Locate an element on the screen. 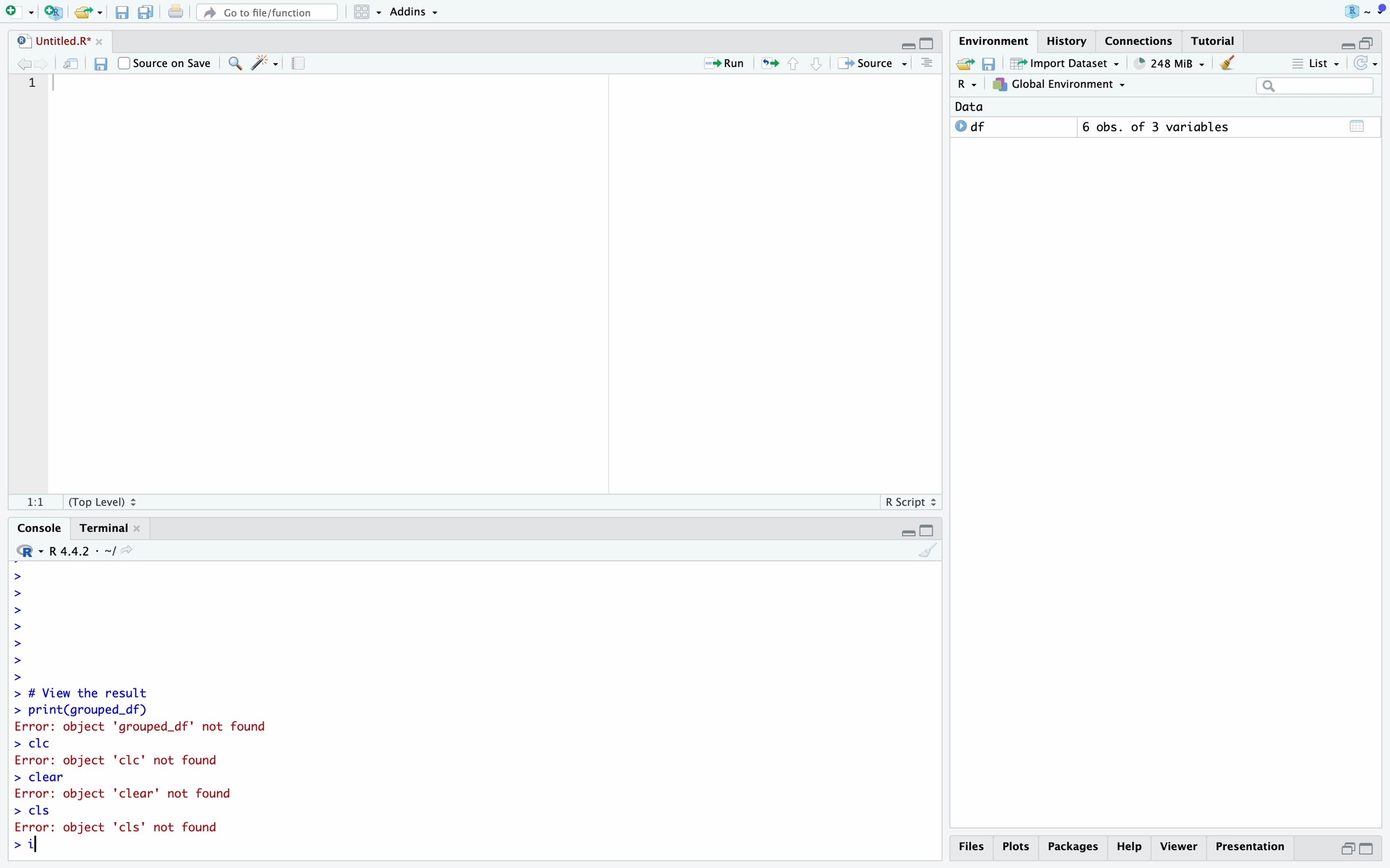 The width and height of the screenshot is (1390, 868). Clear is located at coordinates (926, 550).